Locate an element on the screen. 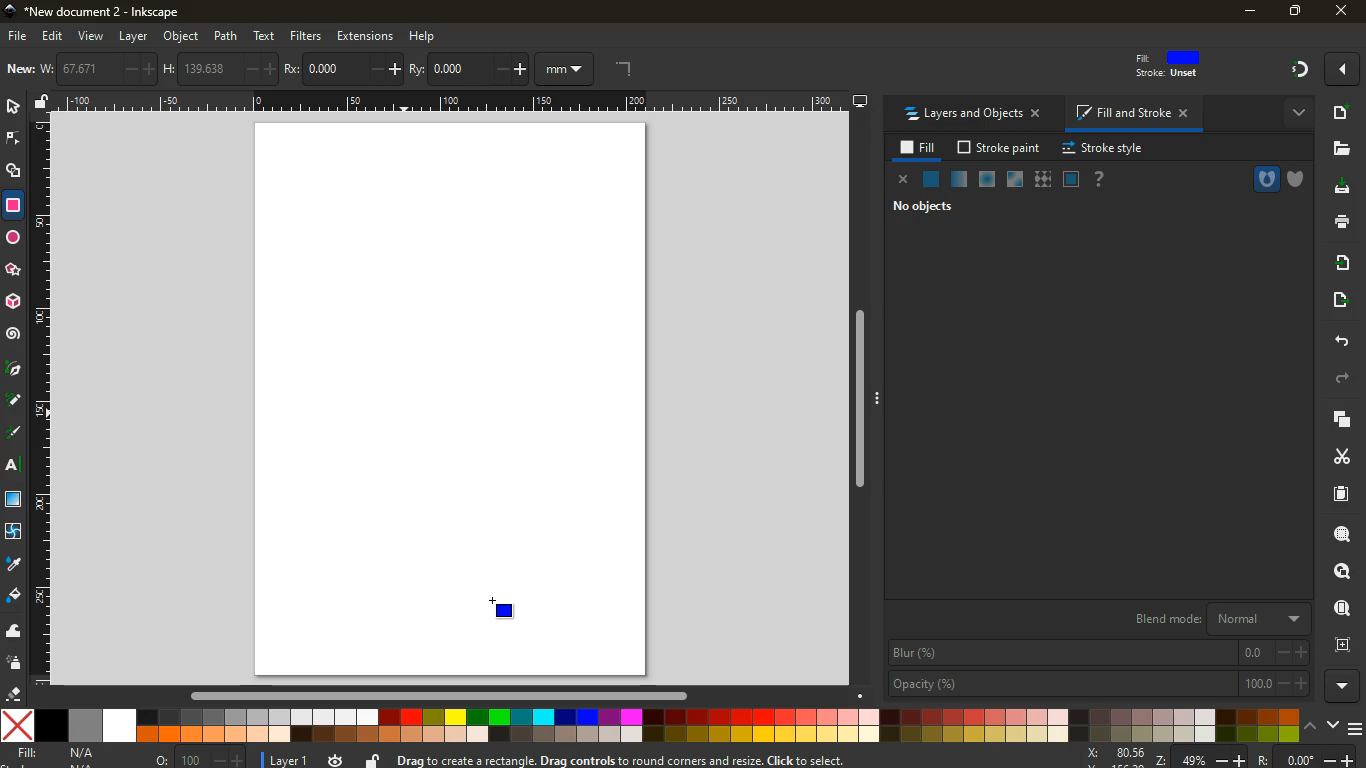 The image size is (1366, 768). find is located at coordinates (1341, 608).